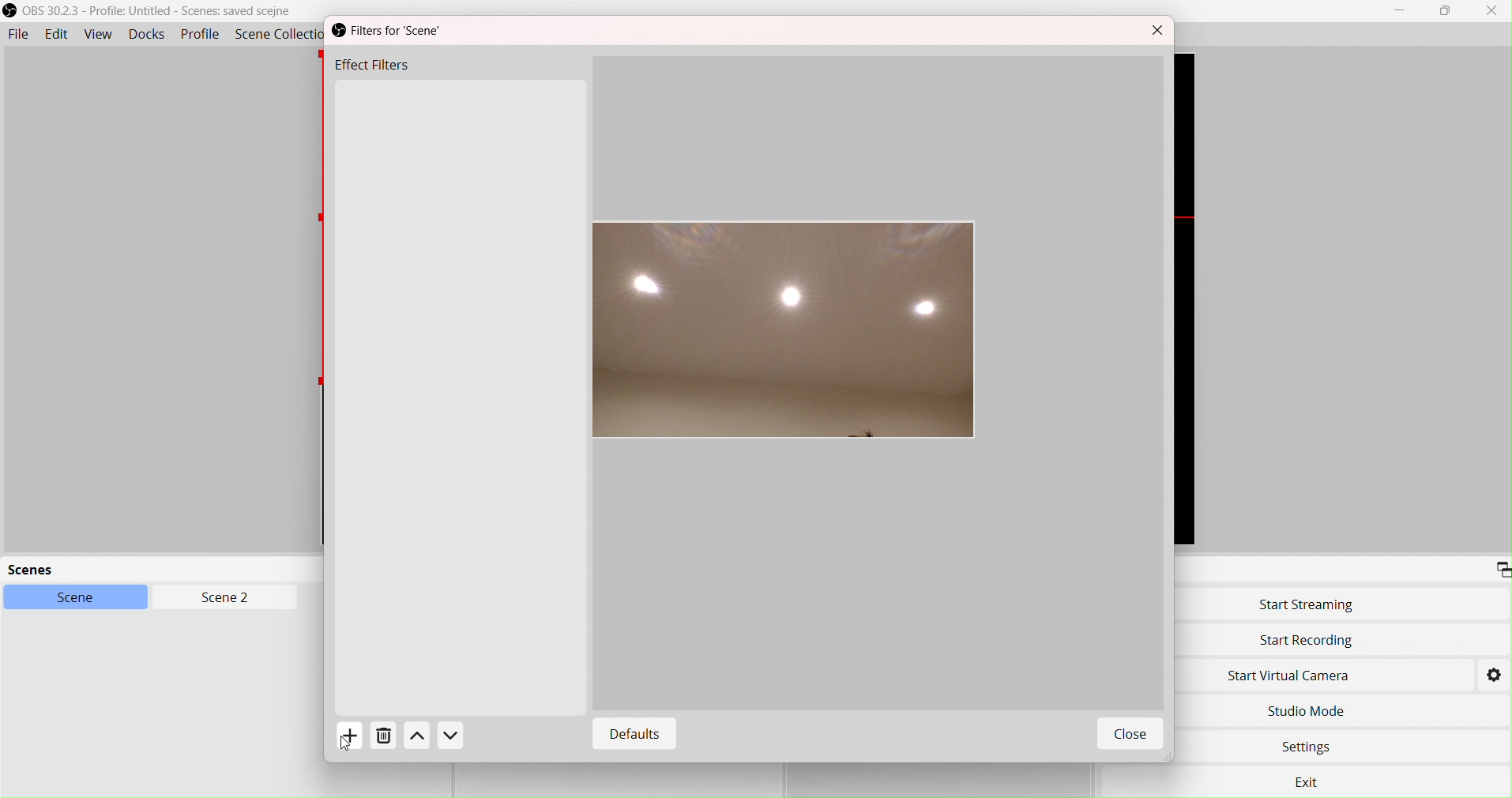 Image resolution: width=1512 pixels, height=798 pixels. What do you see at coordinates (1400, 10) in the screenshot?
I see `Minimize` at bounding box center [1400, 10].